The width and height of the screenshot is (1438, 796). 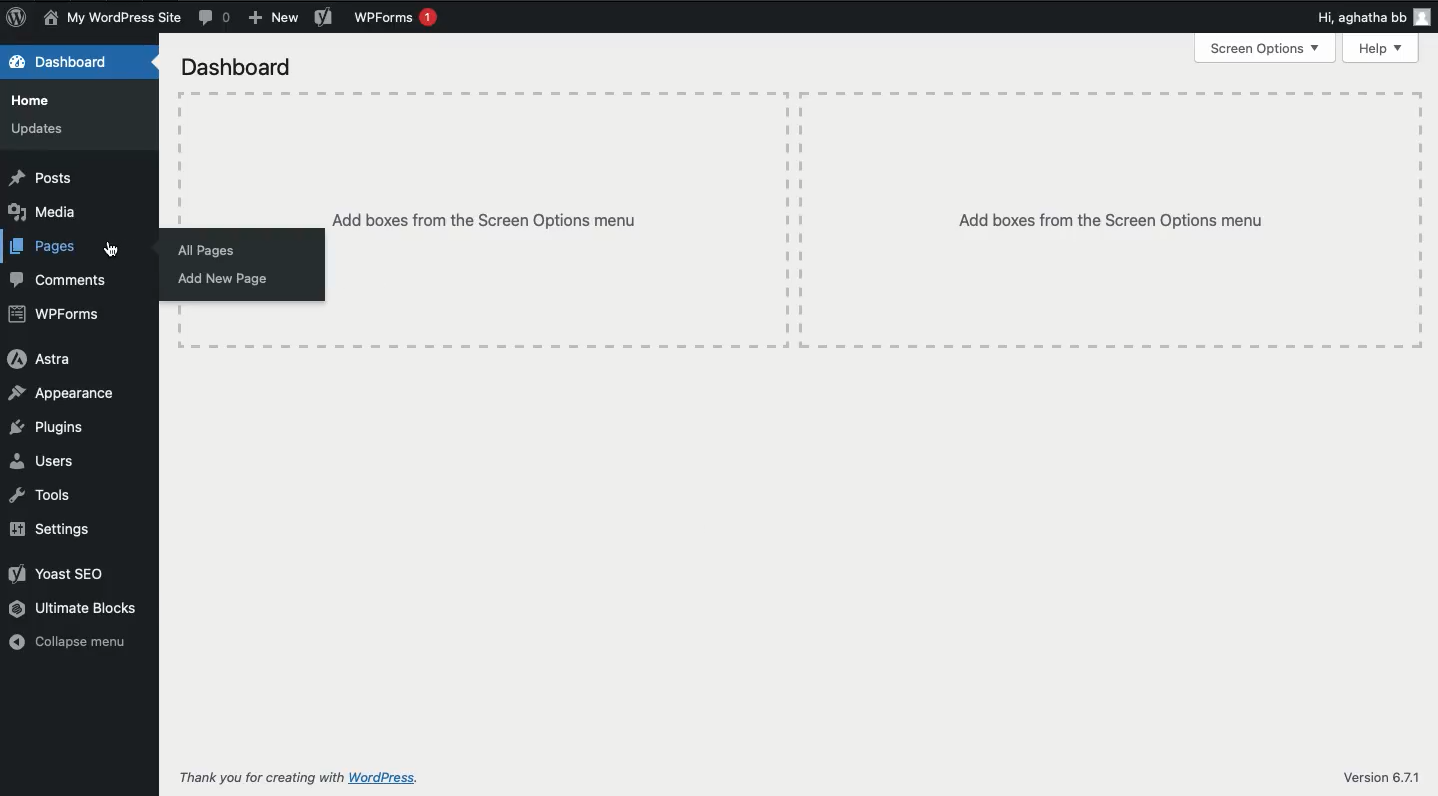 I want to click on Logo, so click(x=16, y=19).